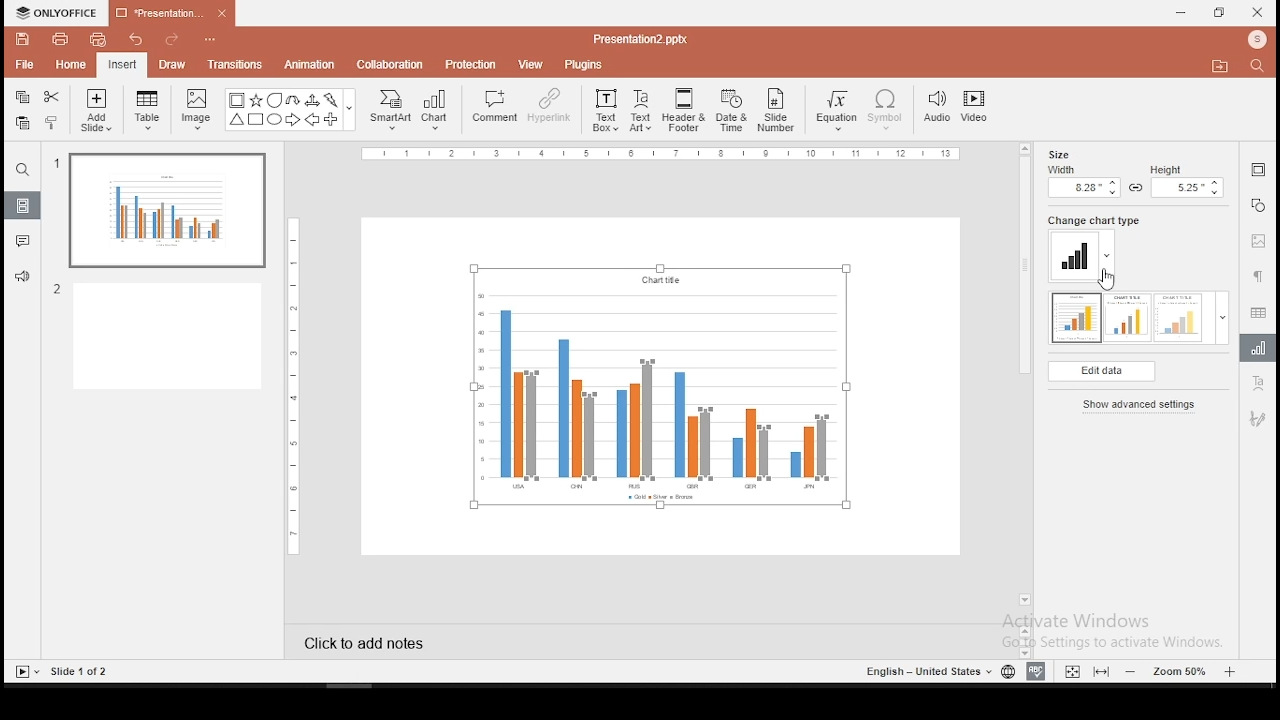 The height and width of the screenshot is (720, 1280). I want to click on add slide, so click(96, 110).